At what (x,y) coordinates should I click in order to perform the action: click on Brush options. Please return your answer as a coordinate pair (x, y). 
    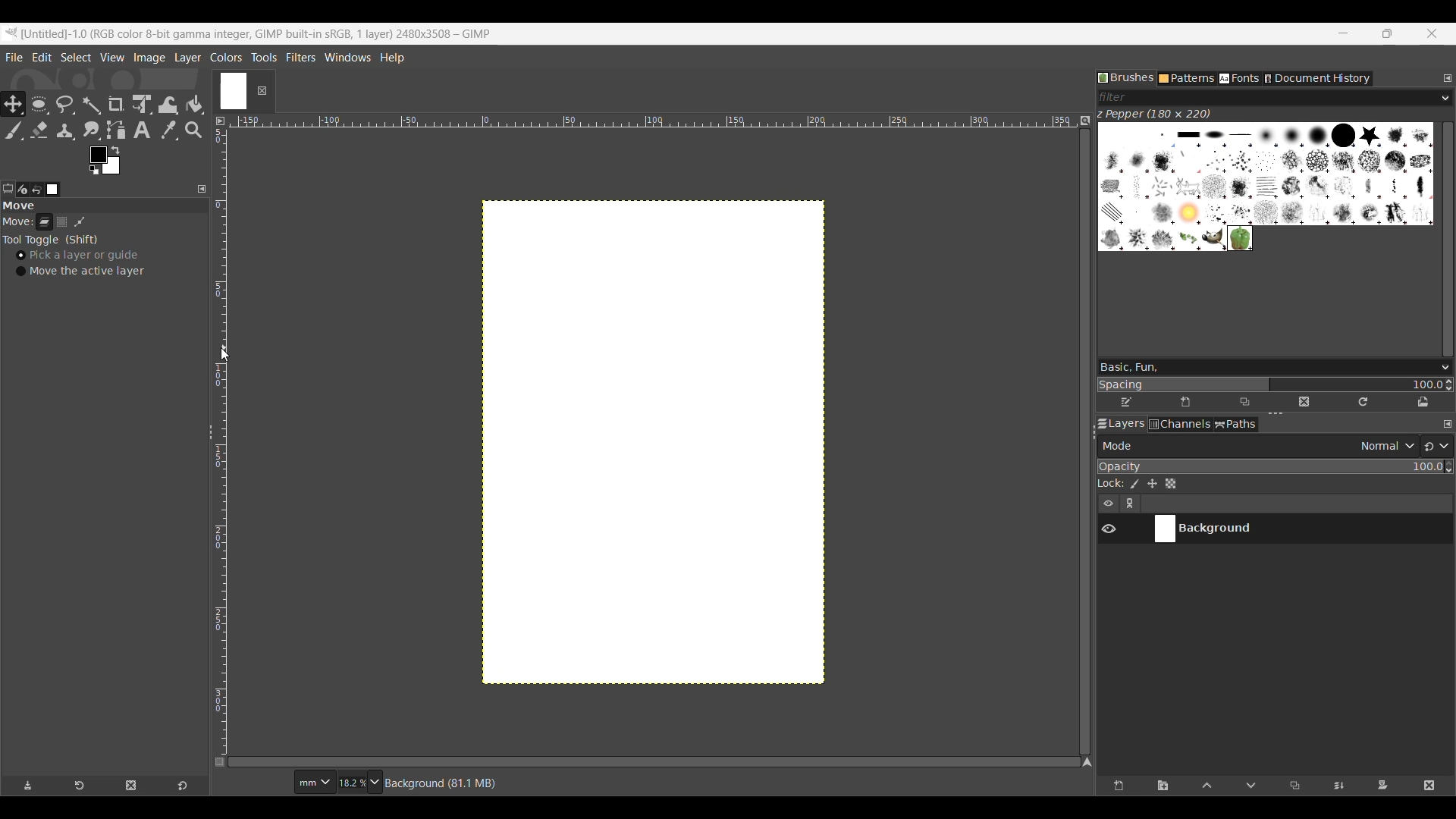
    Looking at the image, I should click on (1442, 369).